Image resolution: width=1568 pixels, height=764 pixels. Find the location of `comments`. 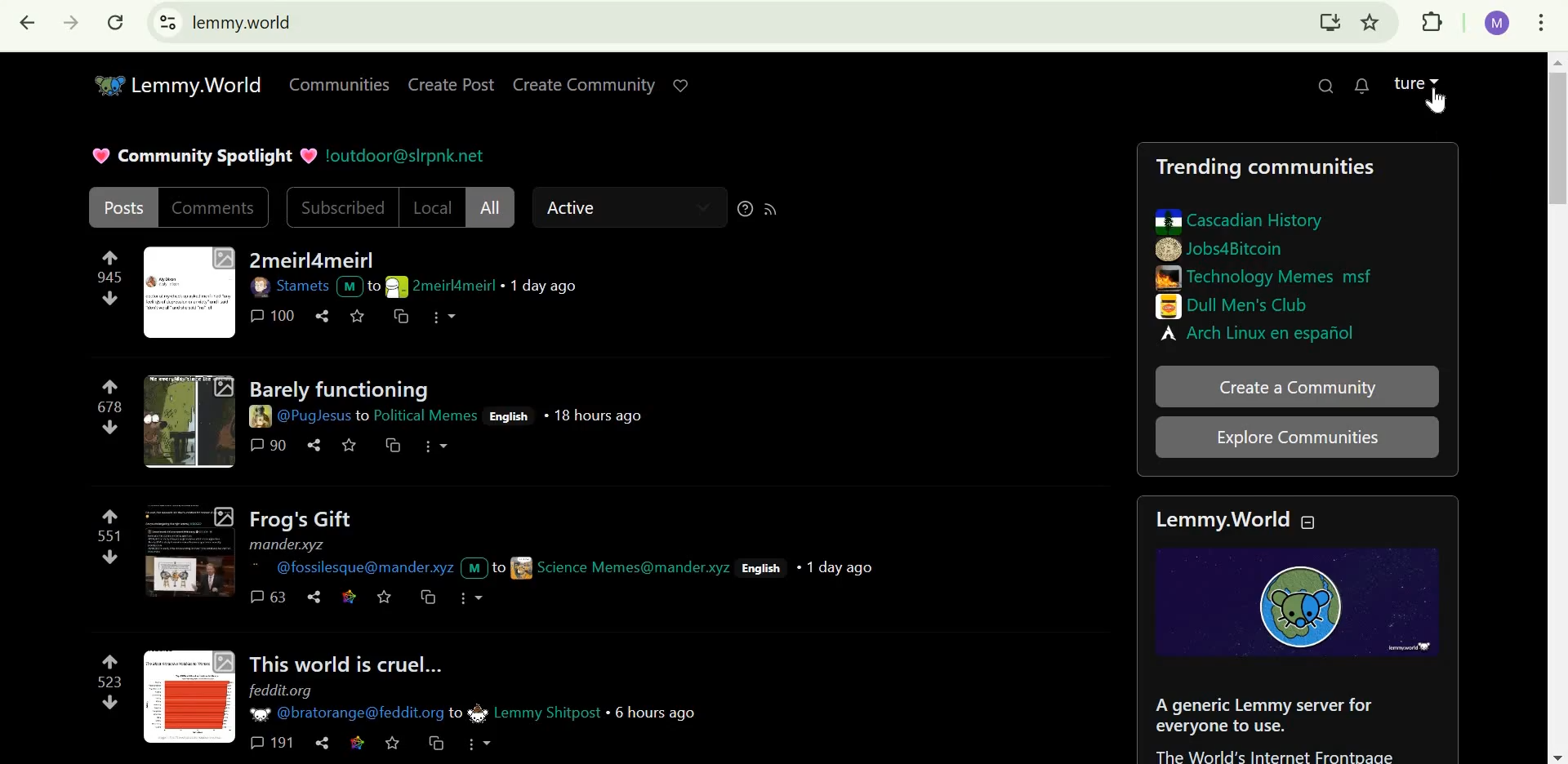

comments is located at coordinates (215, 207).